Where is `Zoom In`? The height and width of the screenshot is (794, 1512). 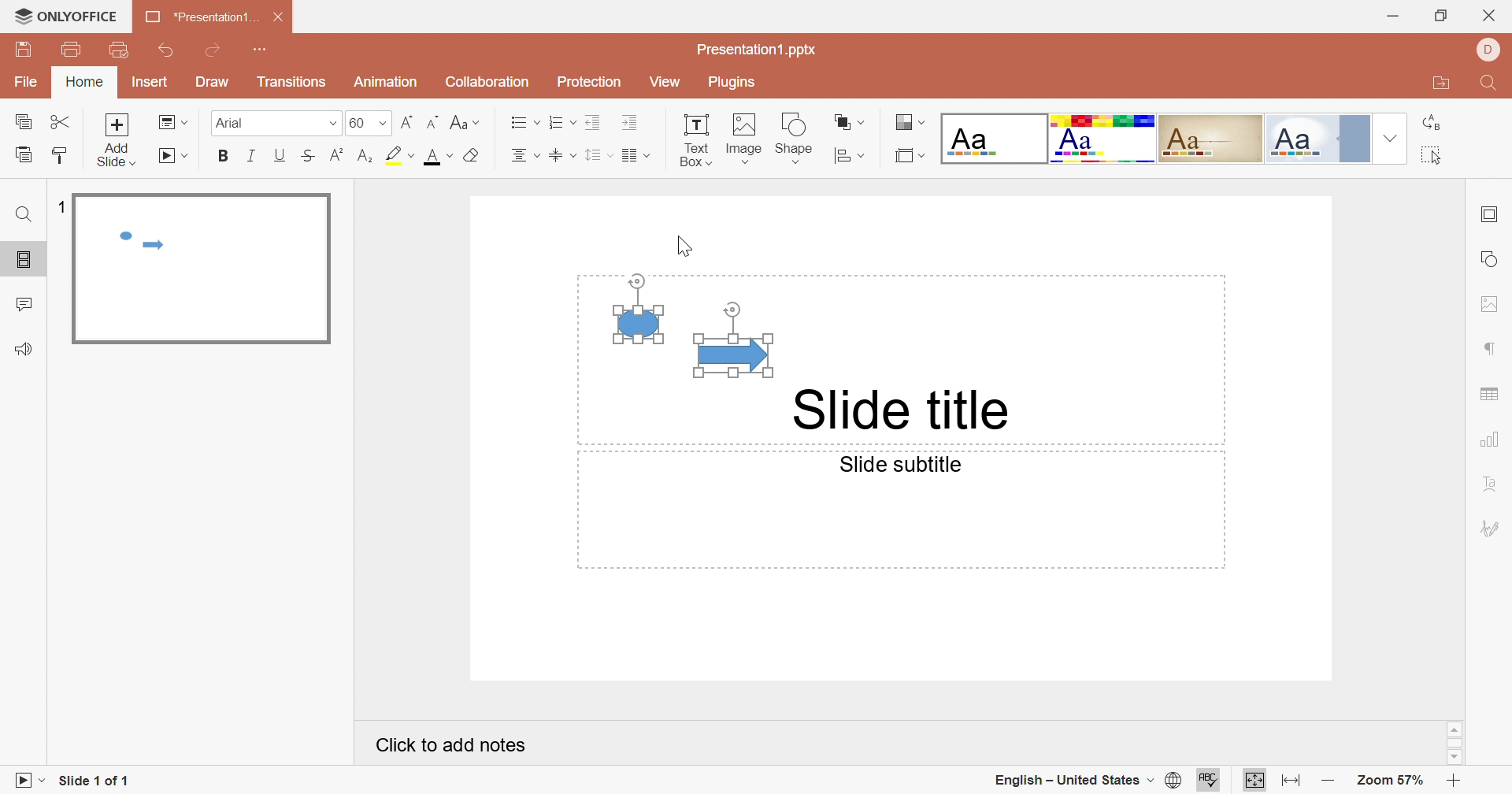
Zoom In is located at coordinates (1456, 780).